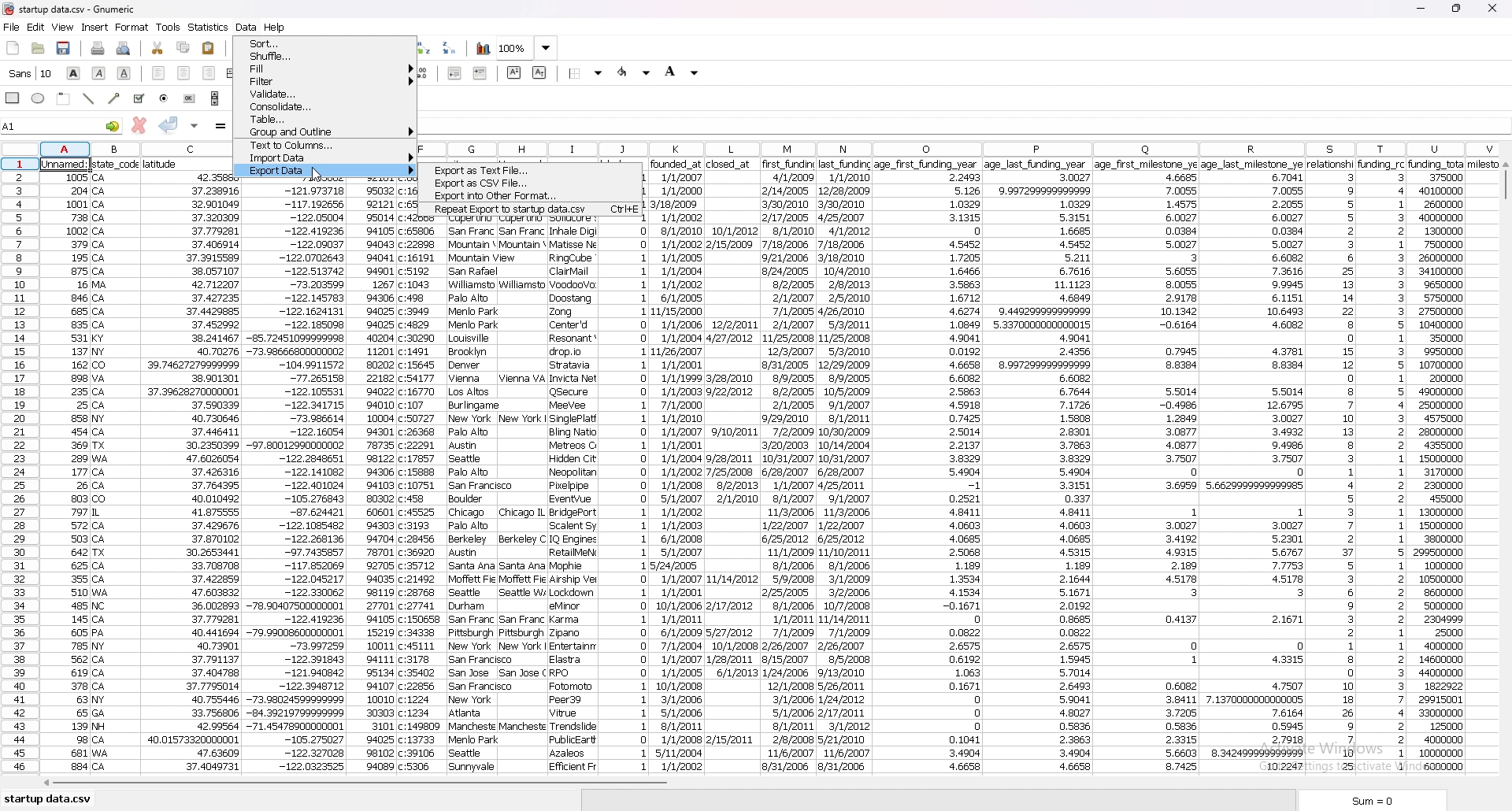 The image size is (1512, 811). Describe the element at coordinates (165, 98) in the screenshot. I see `radio button` at that location.